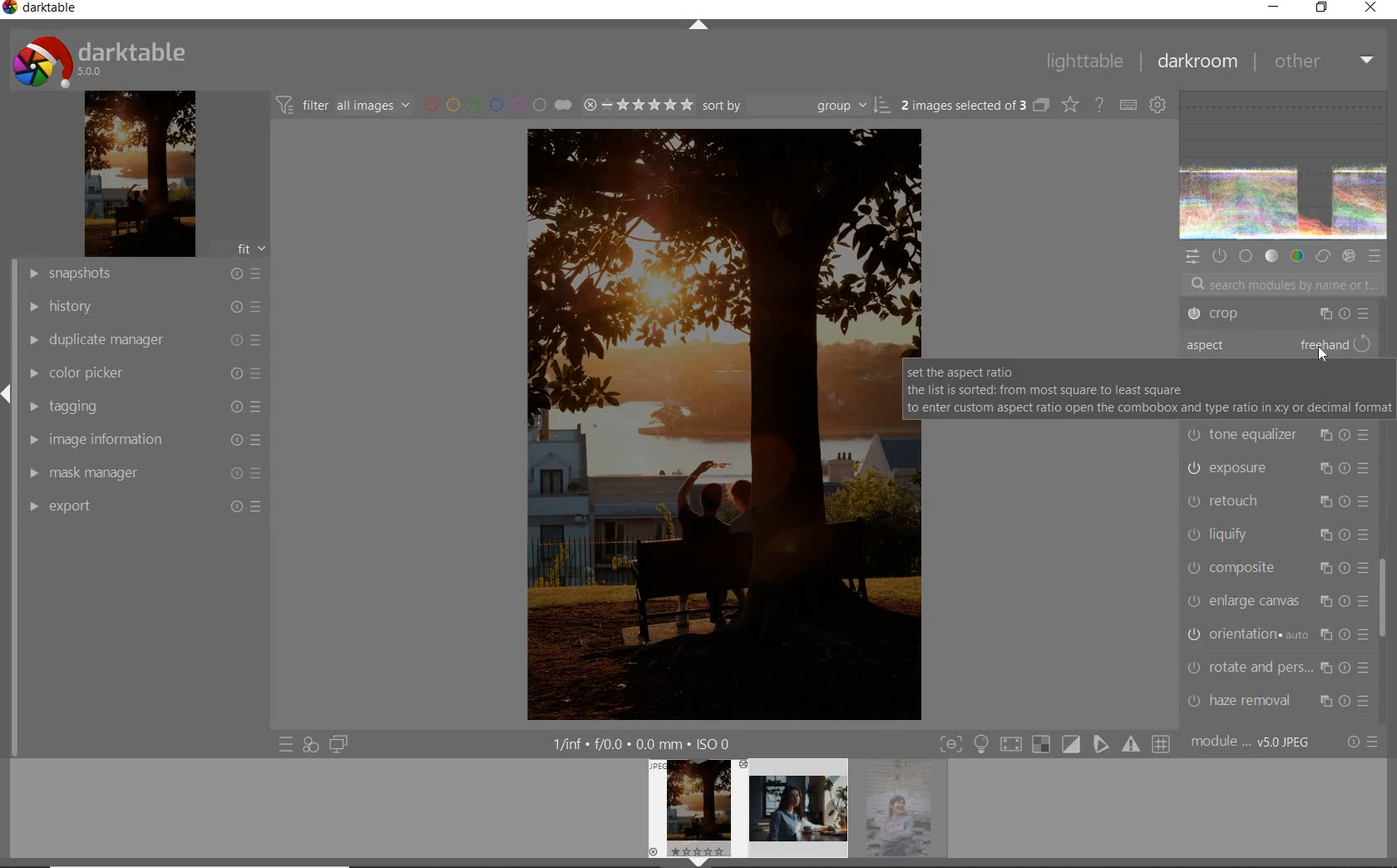 The image size is (1397, 868). Describe the element at coordinates (1055, 743) in the screenshot. I see `toggle mode` at that location.